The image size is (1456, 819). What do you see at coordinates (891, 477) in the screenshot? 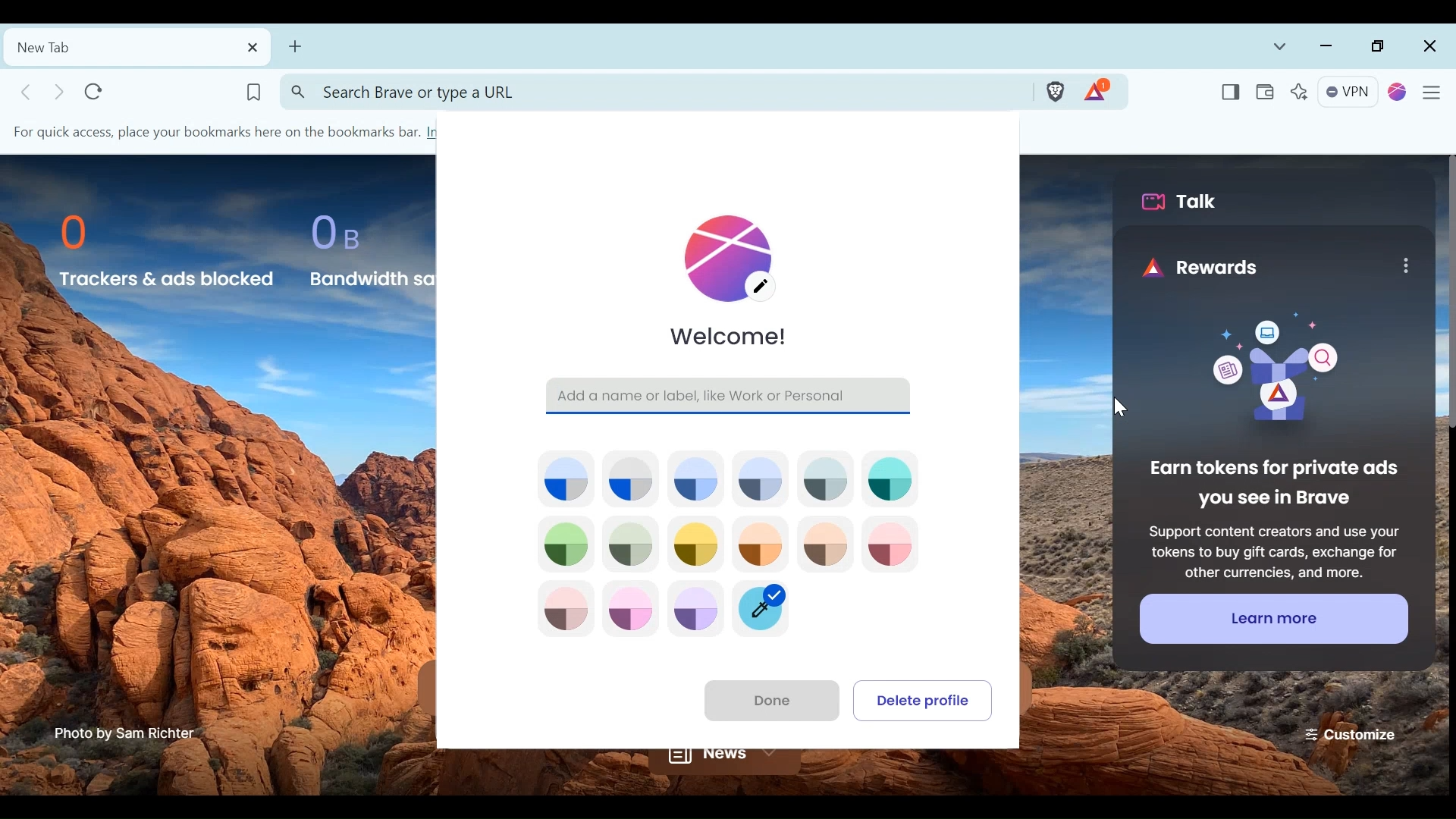
I see `Theme` at bounding box center [891, 477].